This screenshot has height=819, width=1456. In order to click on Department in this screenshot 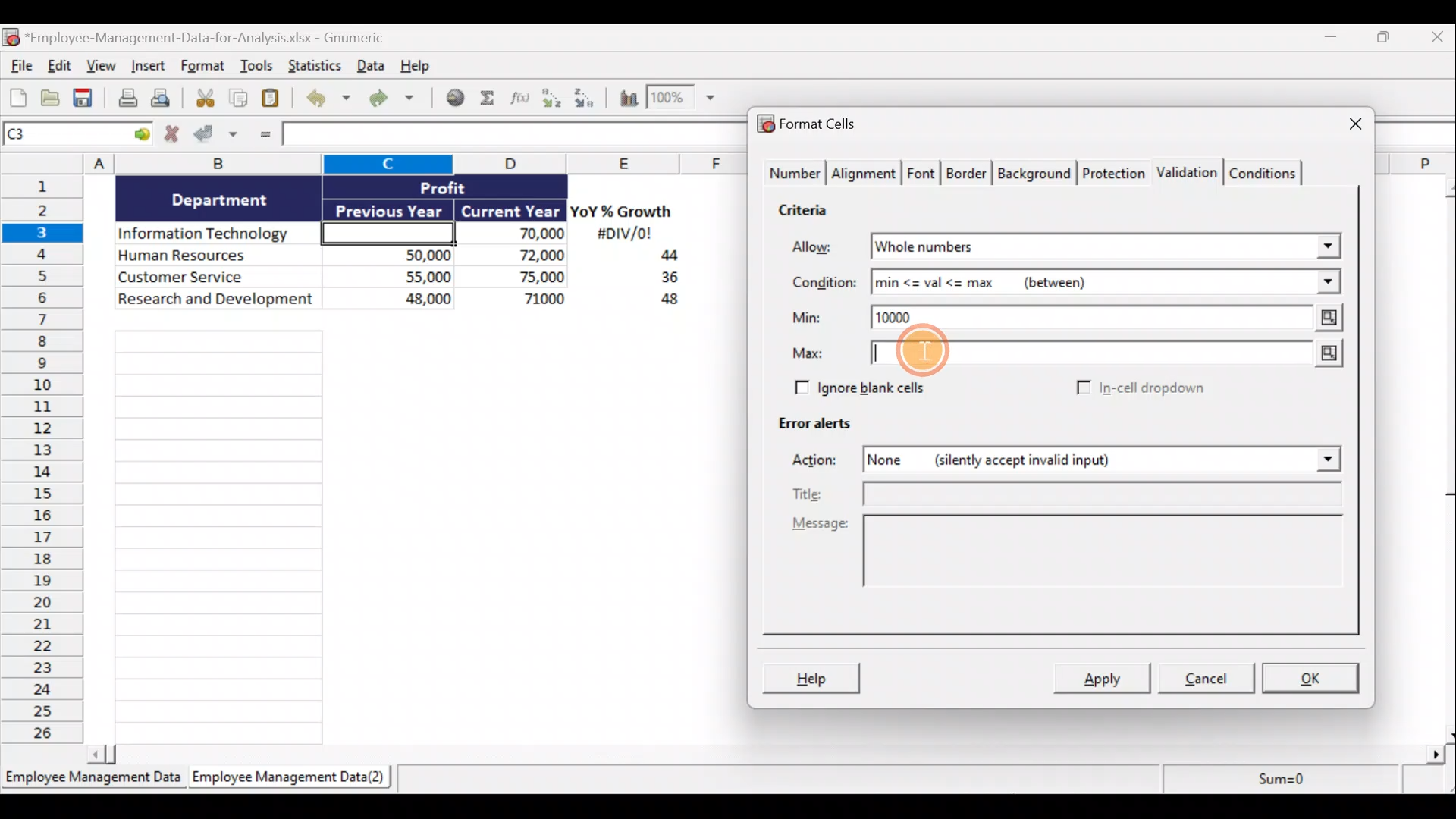, I will do `click(220, 199)`.